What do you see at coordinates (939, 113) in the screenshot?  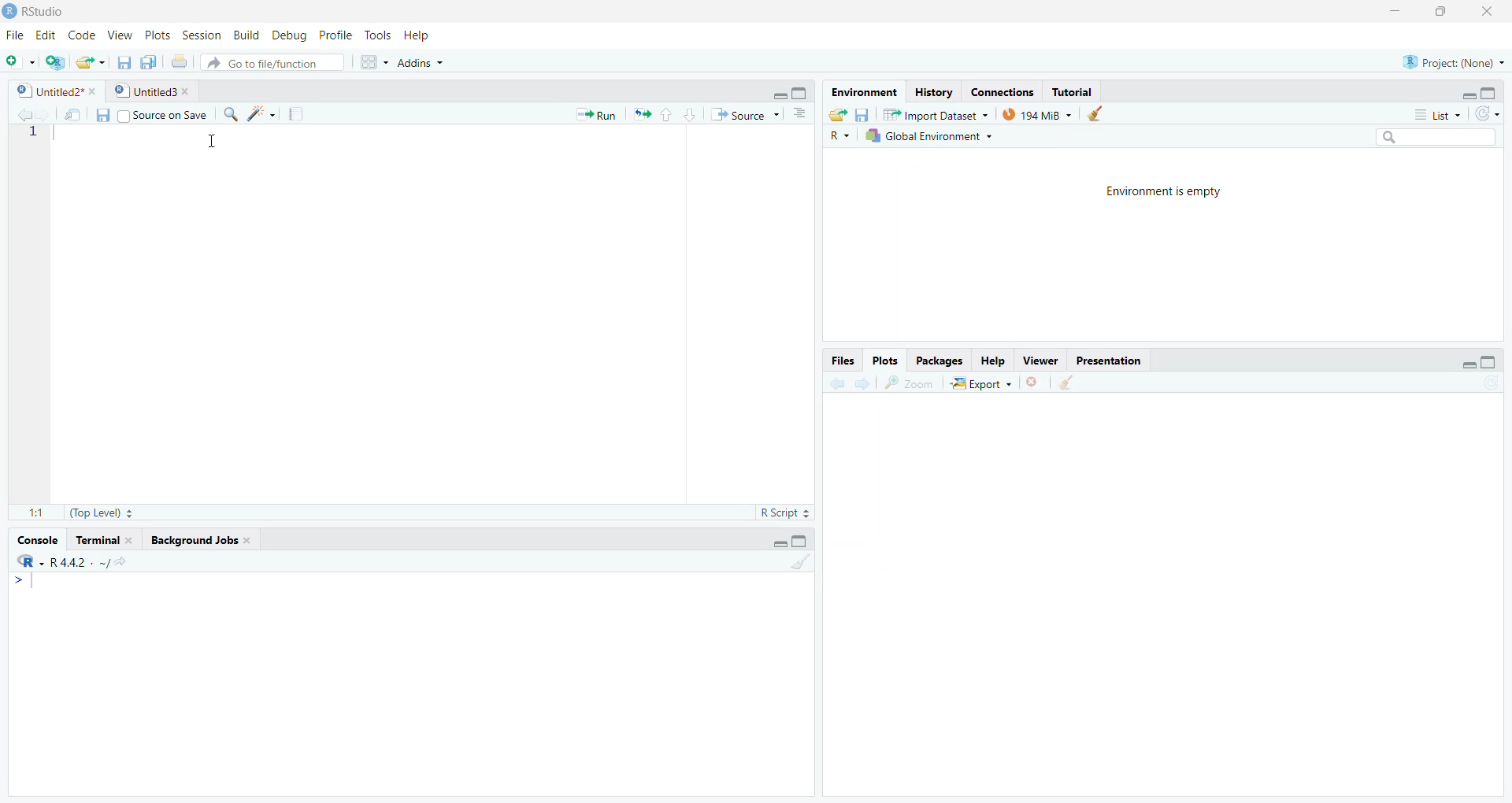 I see `Import Dataset ` at bounding box center [939, 113].